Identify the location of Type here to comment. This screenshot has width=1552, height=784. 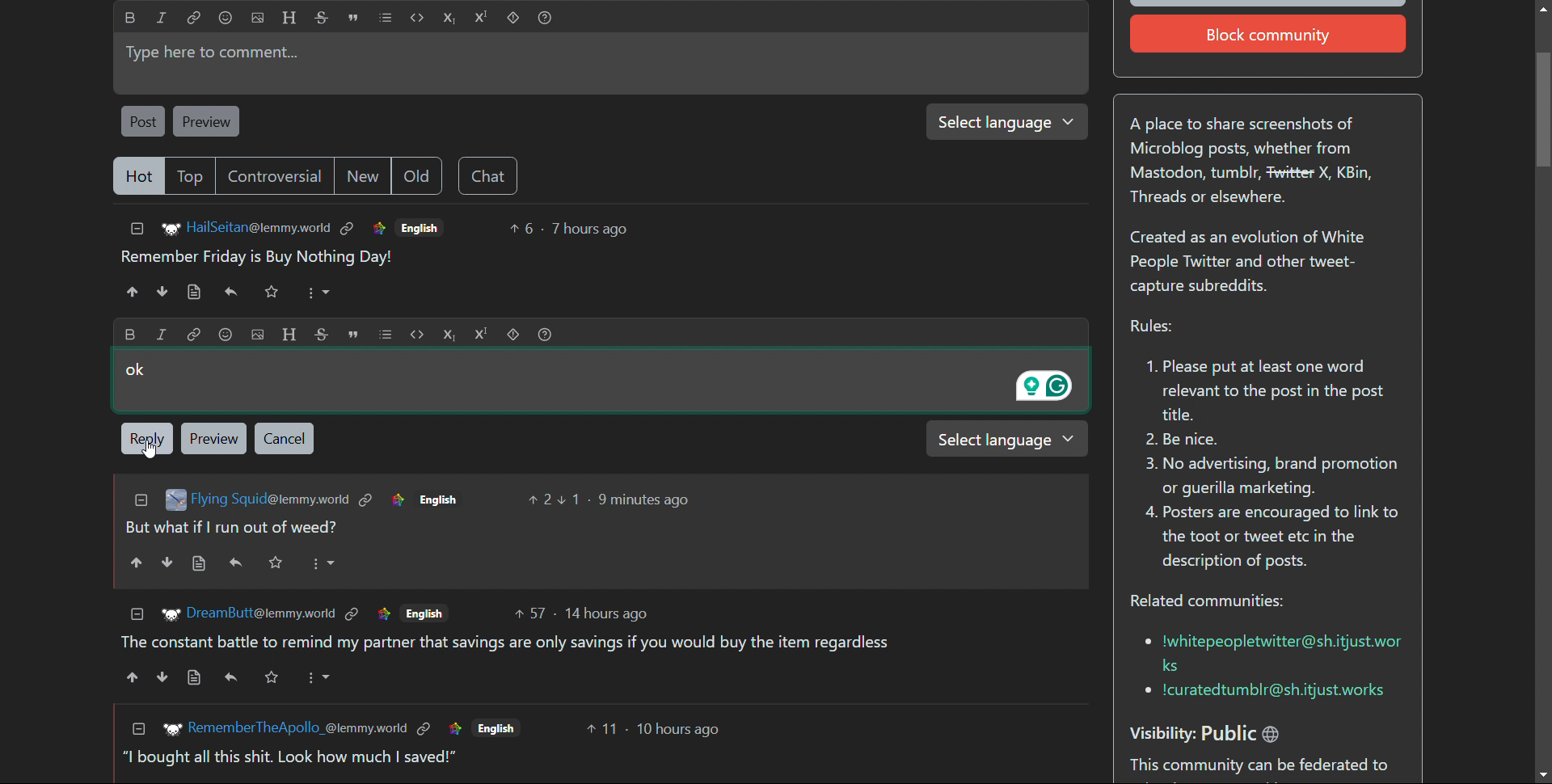
(635, 383).